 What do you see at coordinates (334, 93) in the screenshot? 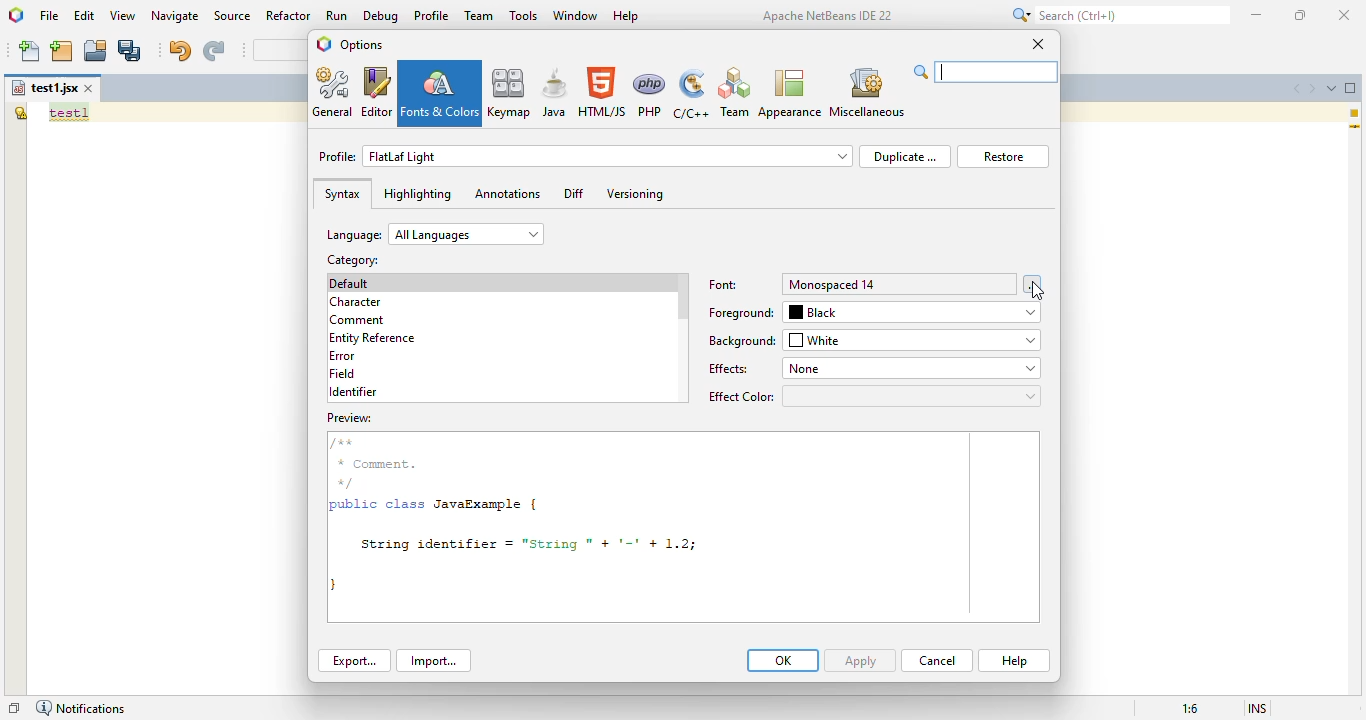
I see `general` at bounding box center [334, 93].